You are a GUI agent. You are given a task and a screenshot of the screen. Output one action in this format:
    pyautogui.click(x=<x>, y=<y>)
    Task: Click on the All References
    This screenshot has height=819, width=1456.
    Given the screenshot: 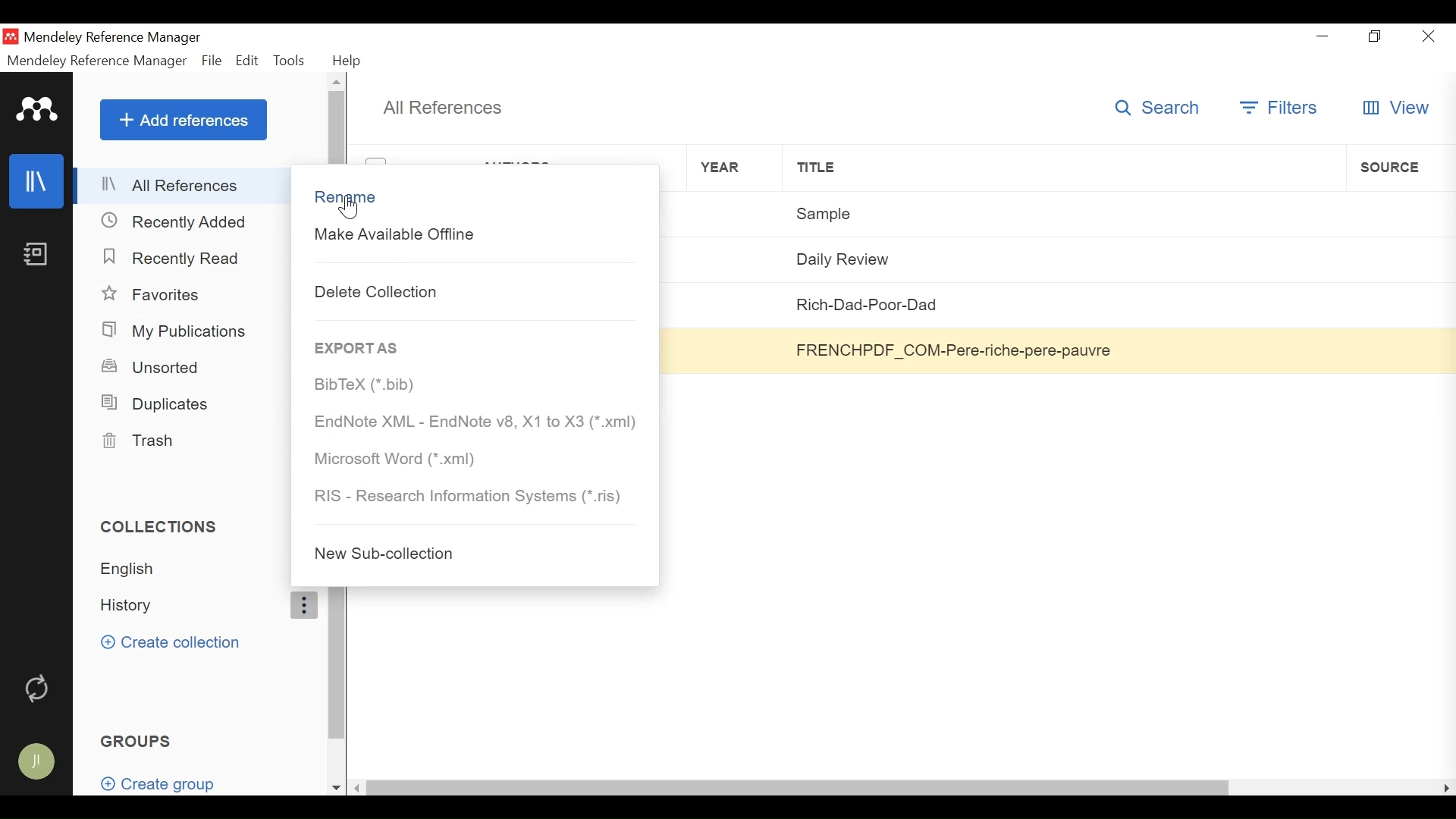 What is the action you would take?
    pyautogui.click(x=442, y=108)
    